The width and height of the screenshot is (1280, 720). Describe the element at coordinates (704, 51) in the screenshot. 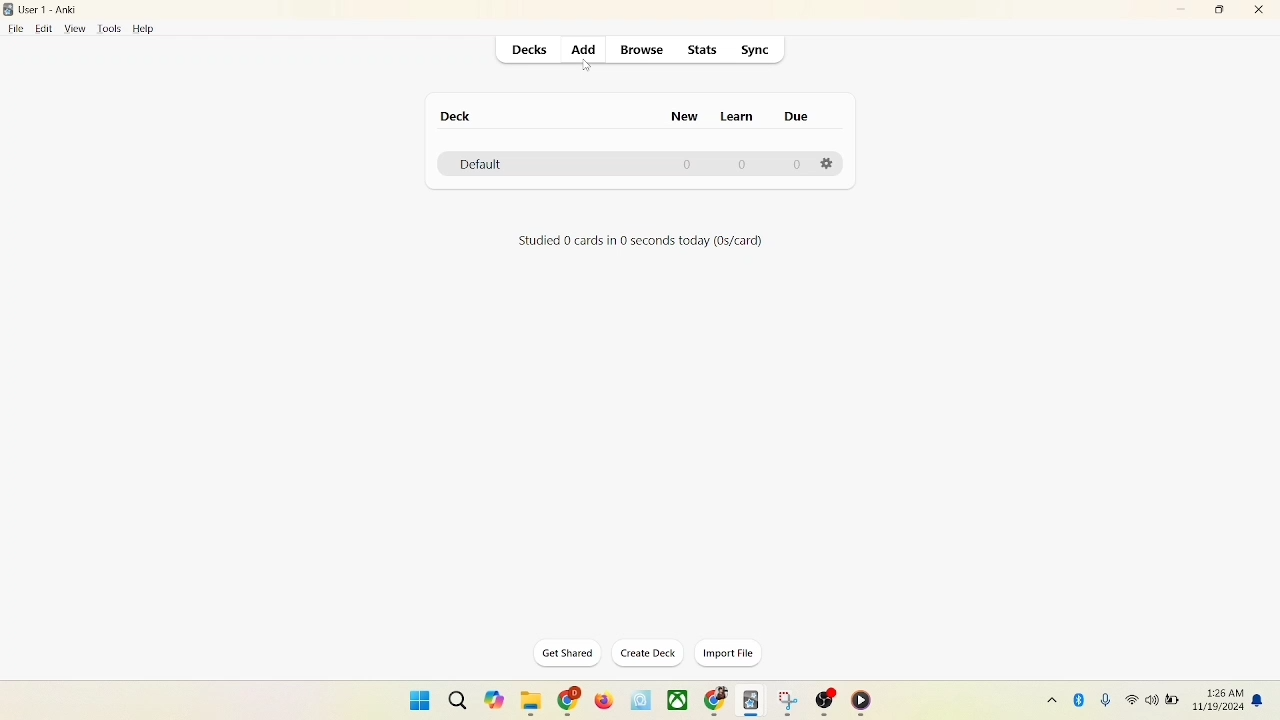

I see `stats` at that location.